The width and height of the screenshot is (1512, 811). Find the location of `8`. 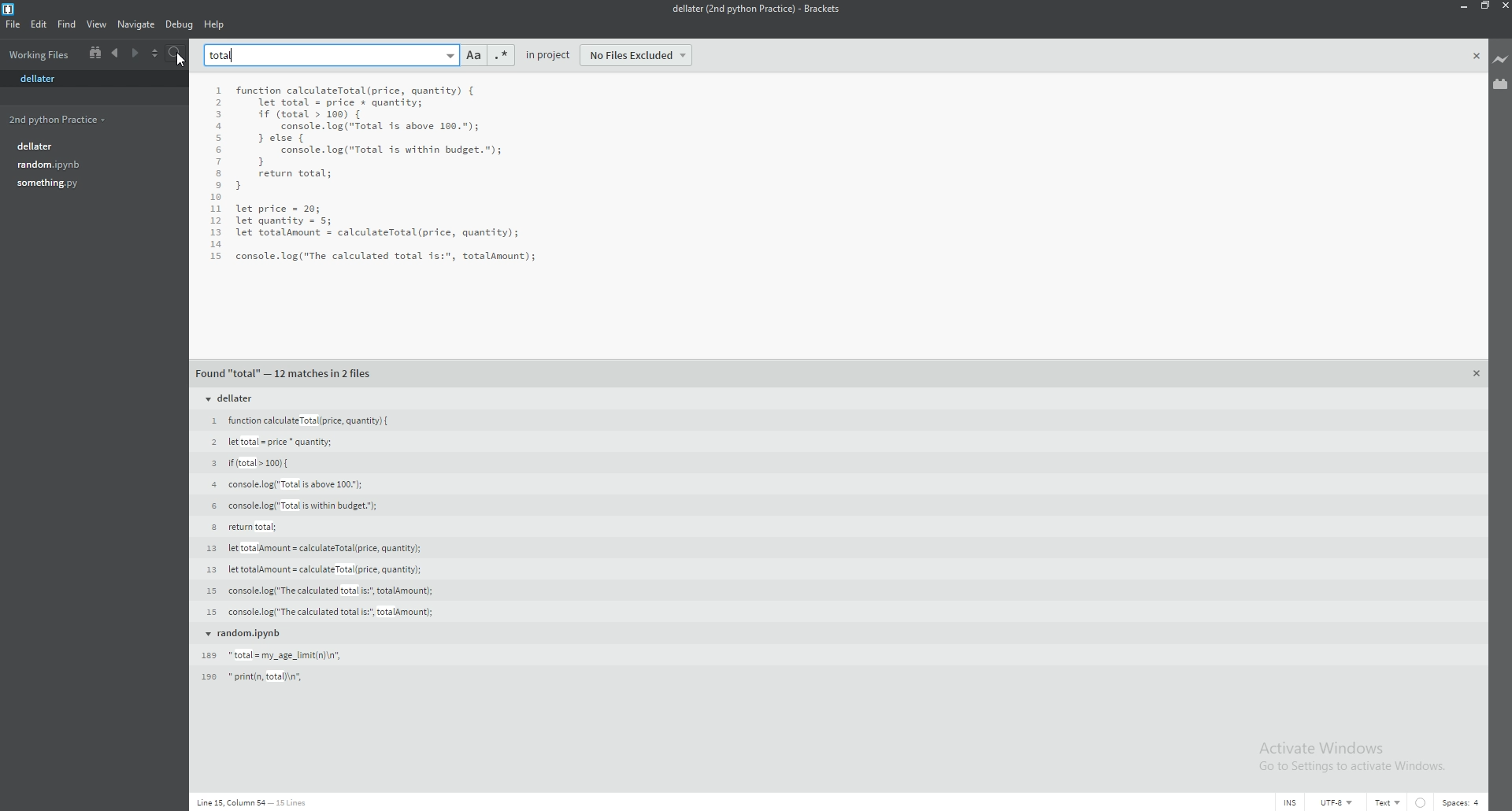

8 is located at coordinates (217, 174).